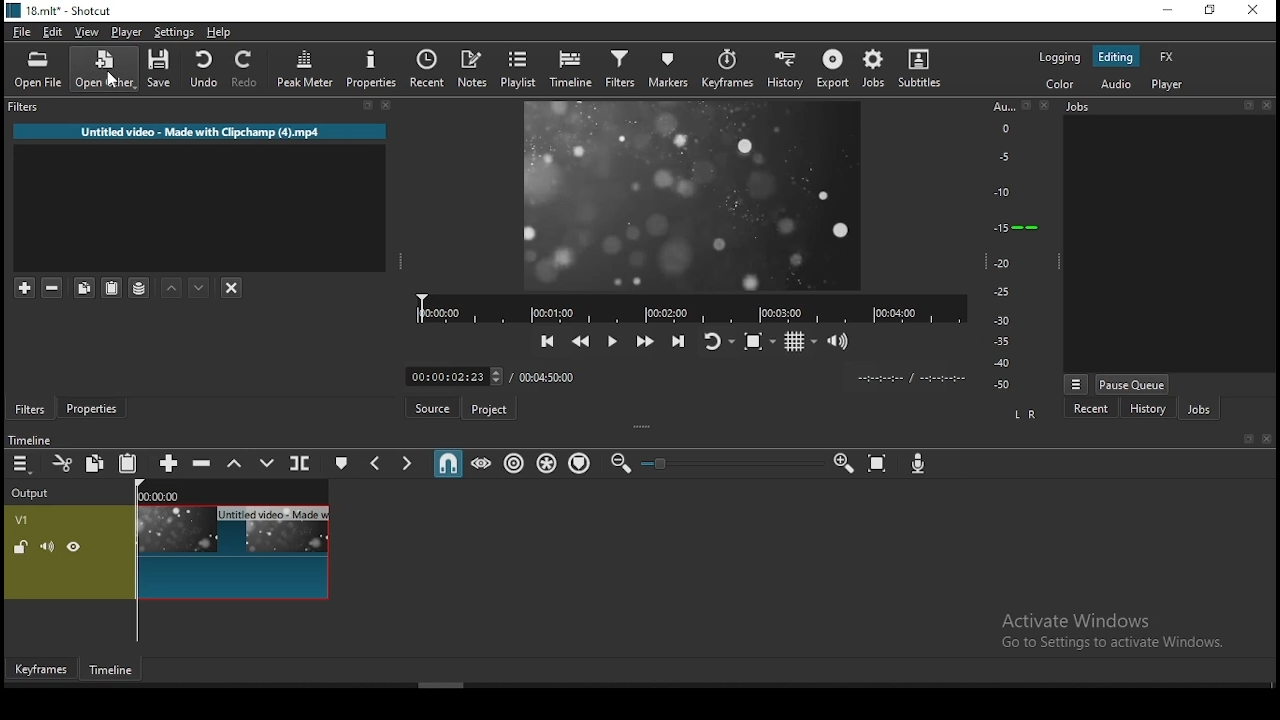 Image resolution: width=1280 pixels, height=720 pixels. Describe the element at coordinates (377, 462) in the screenshot. I see `previous marker` at that location.